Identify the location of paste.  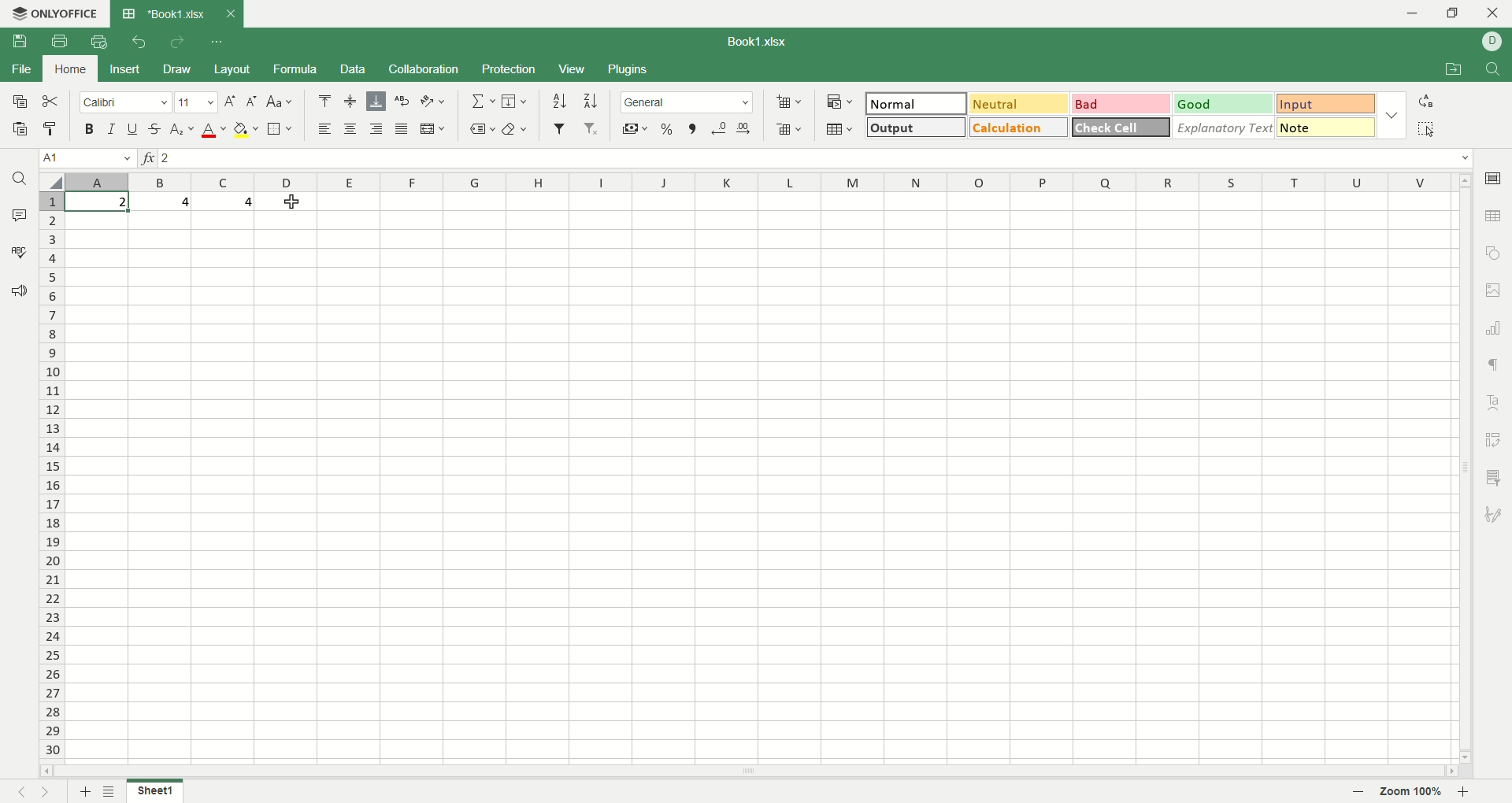
(17, 128).